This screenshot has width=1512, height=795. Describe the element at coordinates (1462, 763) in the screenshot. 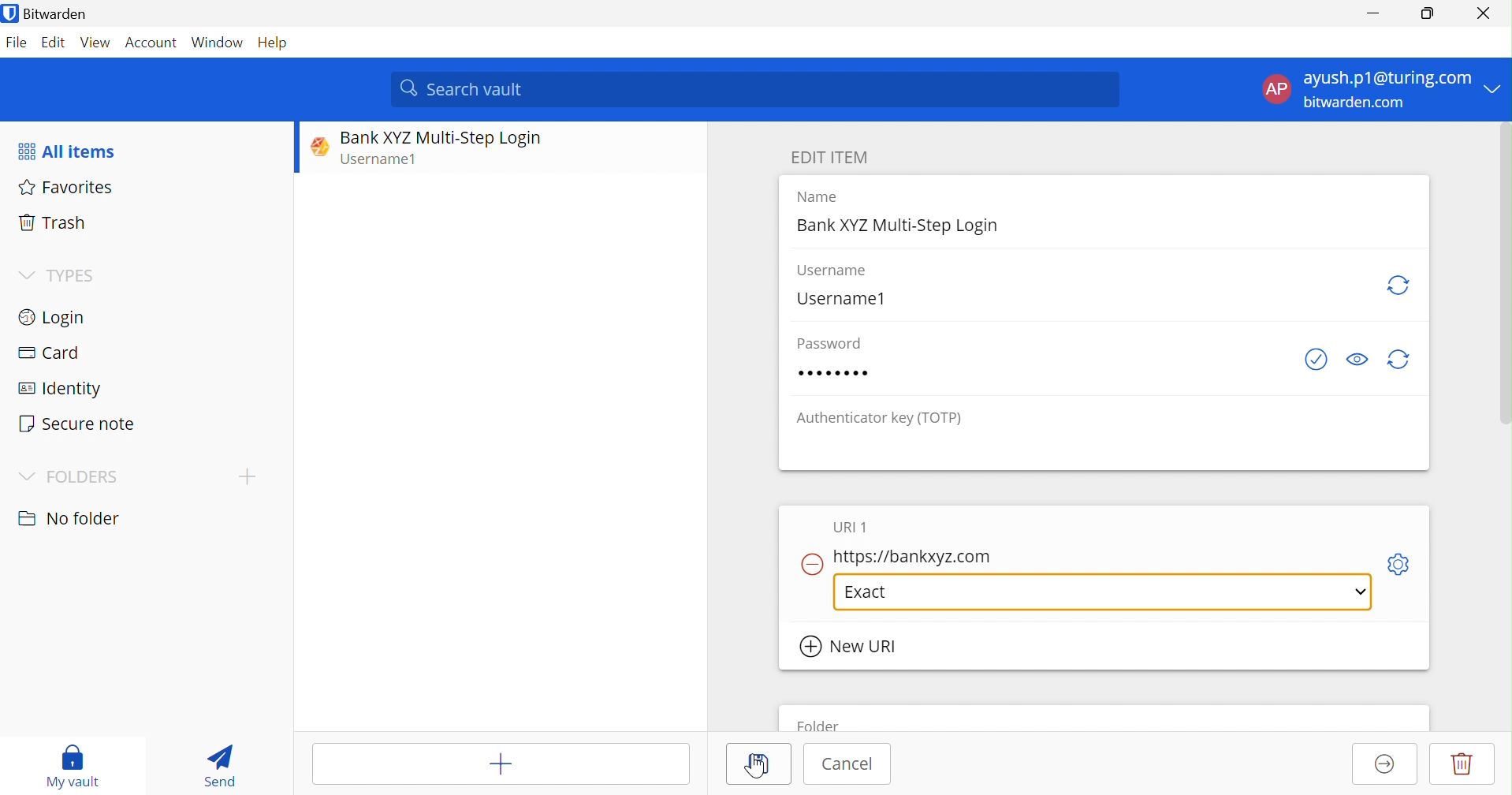

I see `Delete` at that location.